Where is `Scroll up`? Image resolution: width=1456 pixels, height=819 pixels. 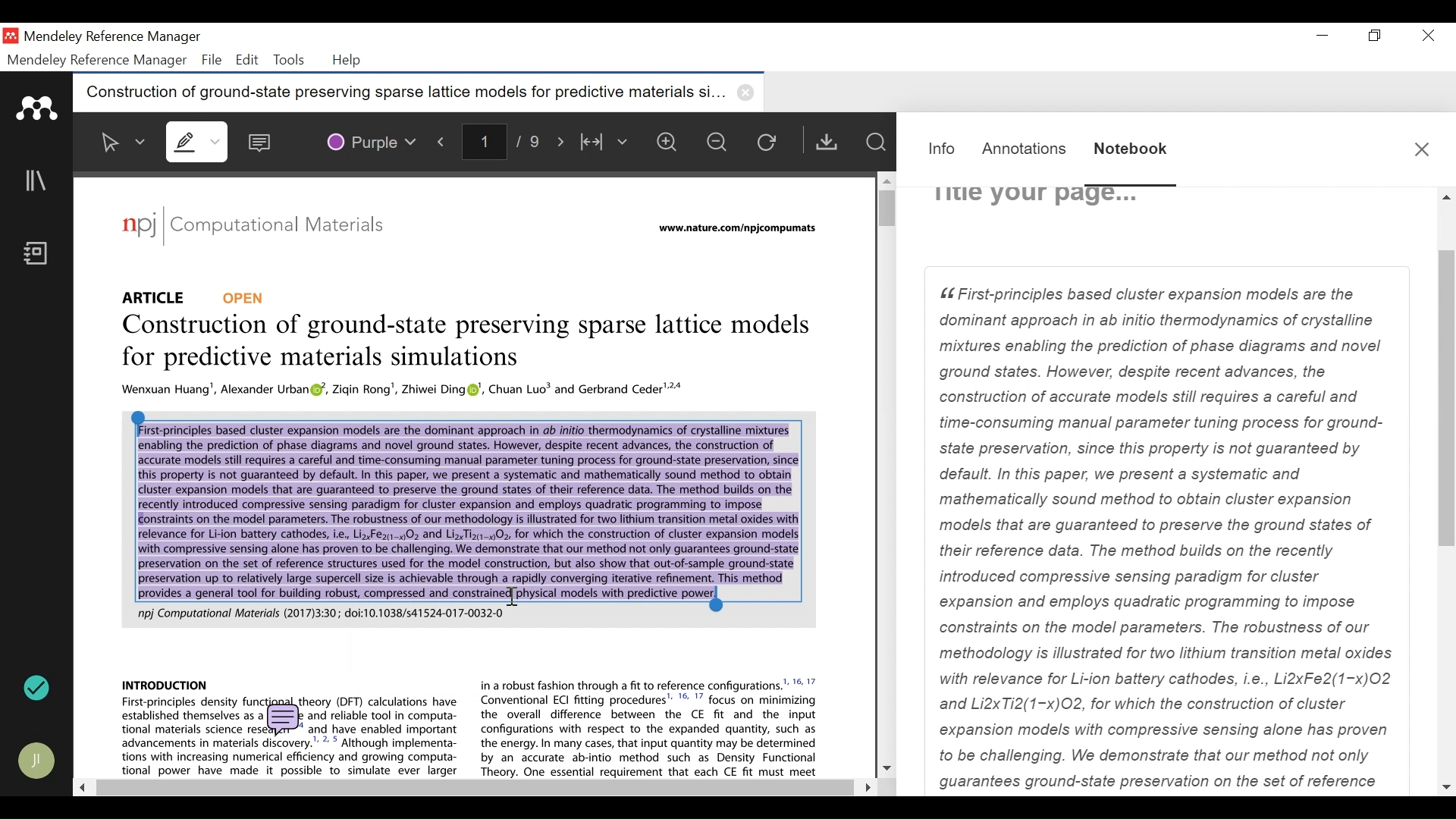 Scroll up is located at coordinates (885, 180).